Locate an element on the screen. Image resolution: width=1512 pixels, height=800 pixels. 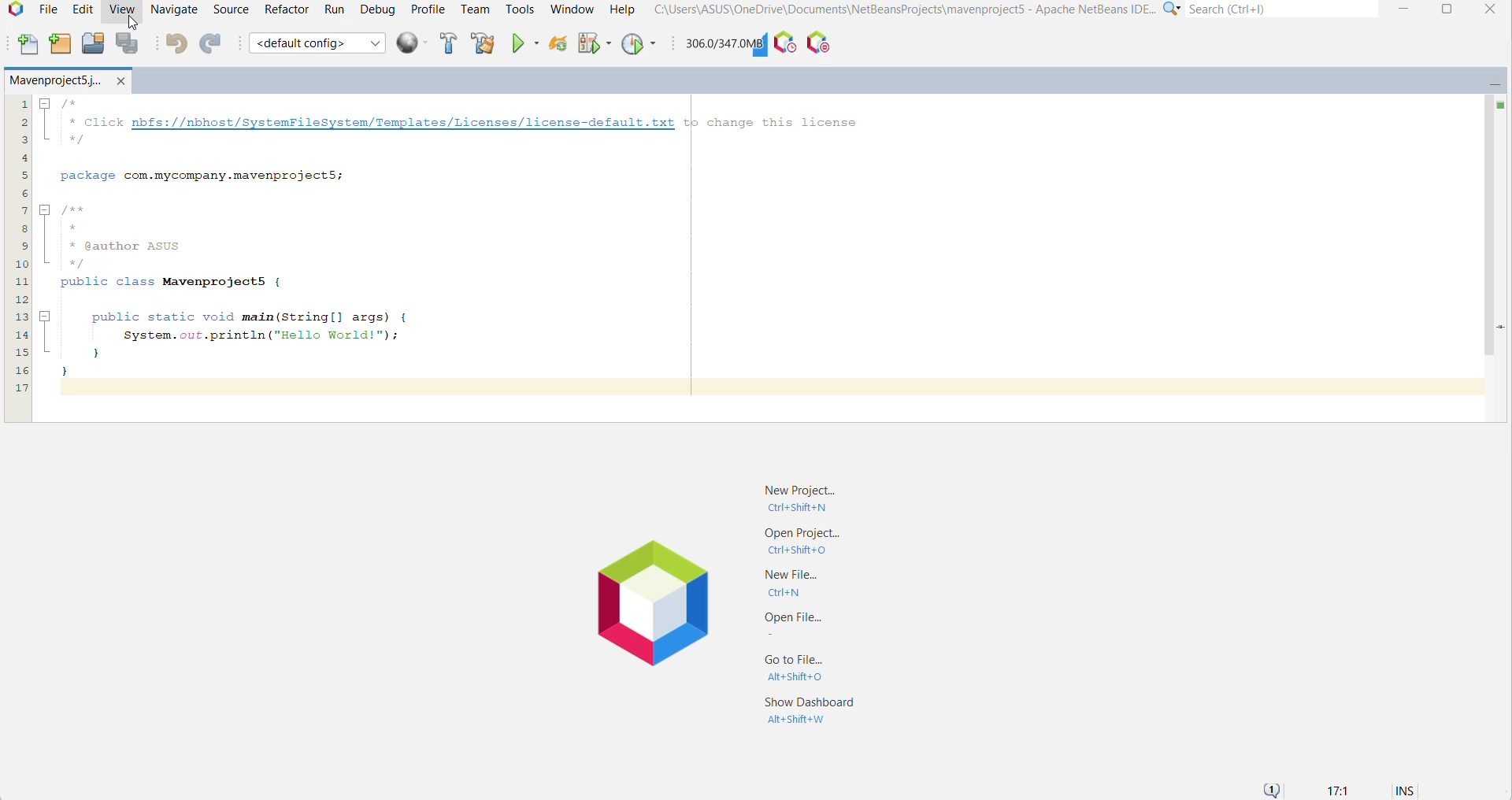
Notifications is located at coordinates (1284, 789).